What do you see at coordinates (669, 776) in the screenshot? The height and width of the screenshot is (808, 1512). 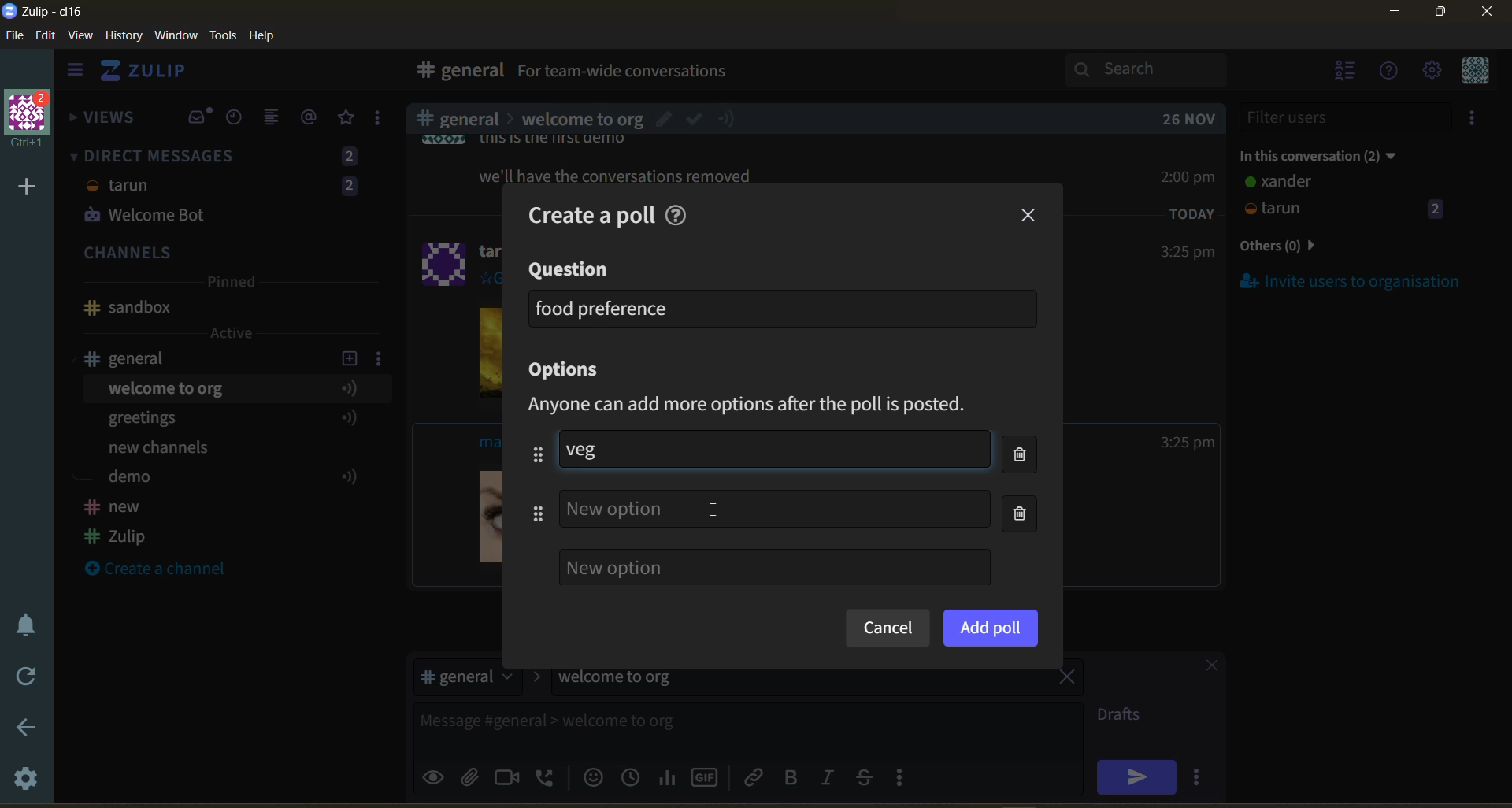 I see `poll` at bounding box center [669, 776].